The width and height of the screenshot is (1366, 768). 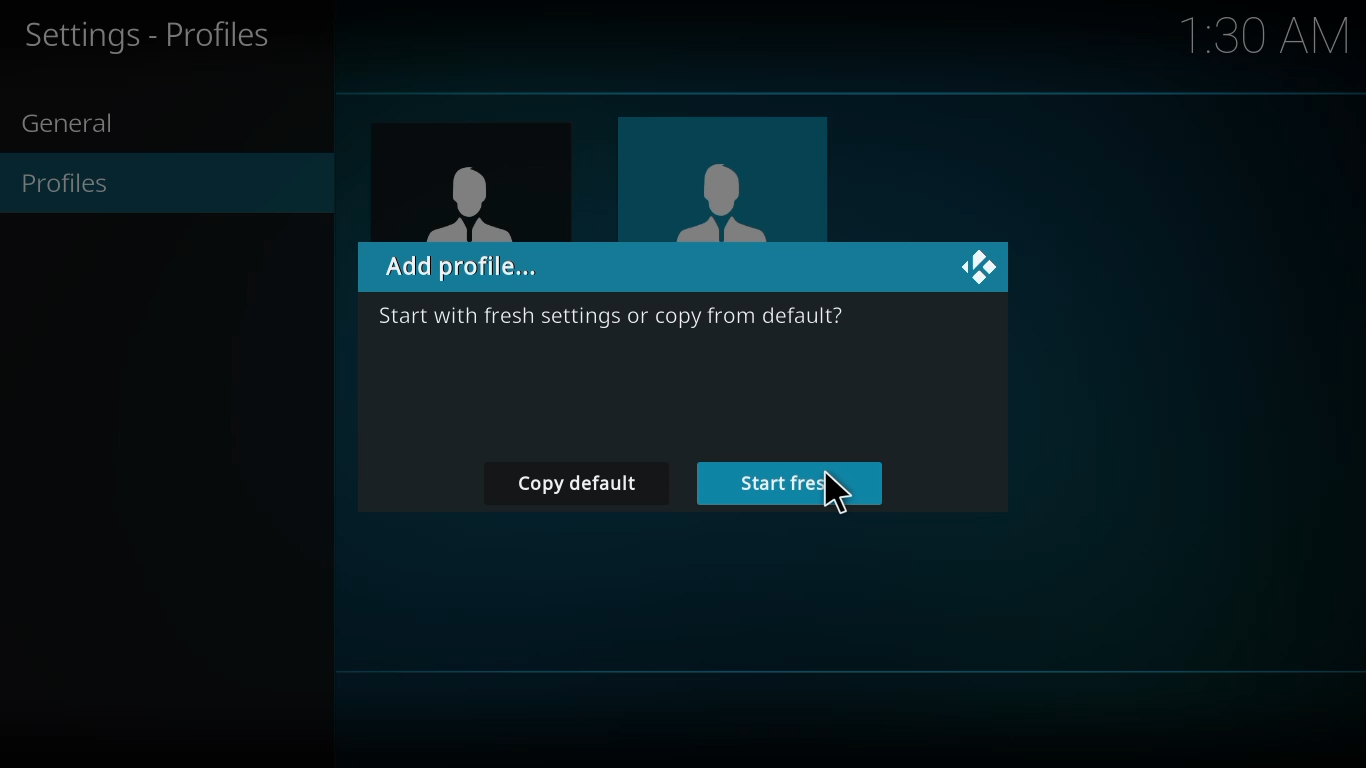 I want to click on close, so click(x=983, y=266).